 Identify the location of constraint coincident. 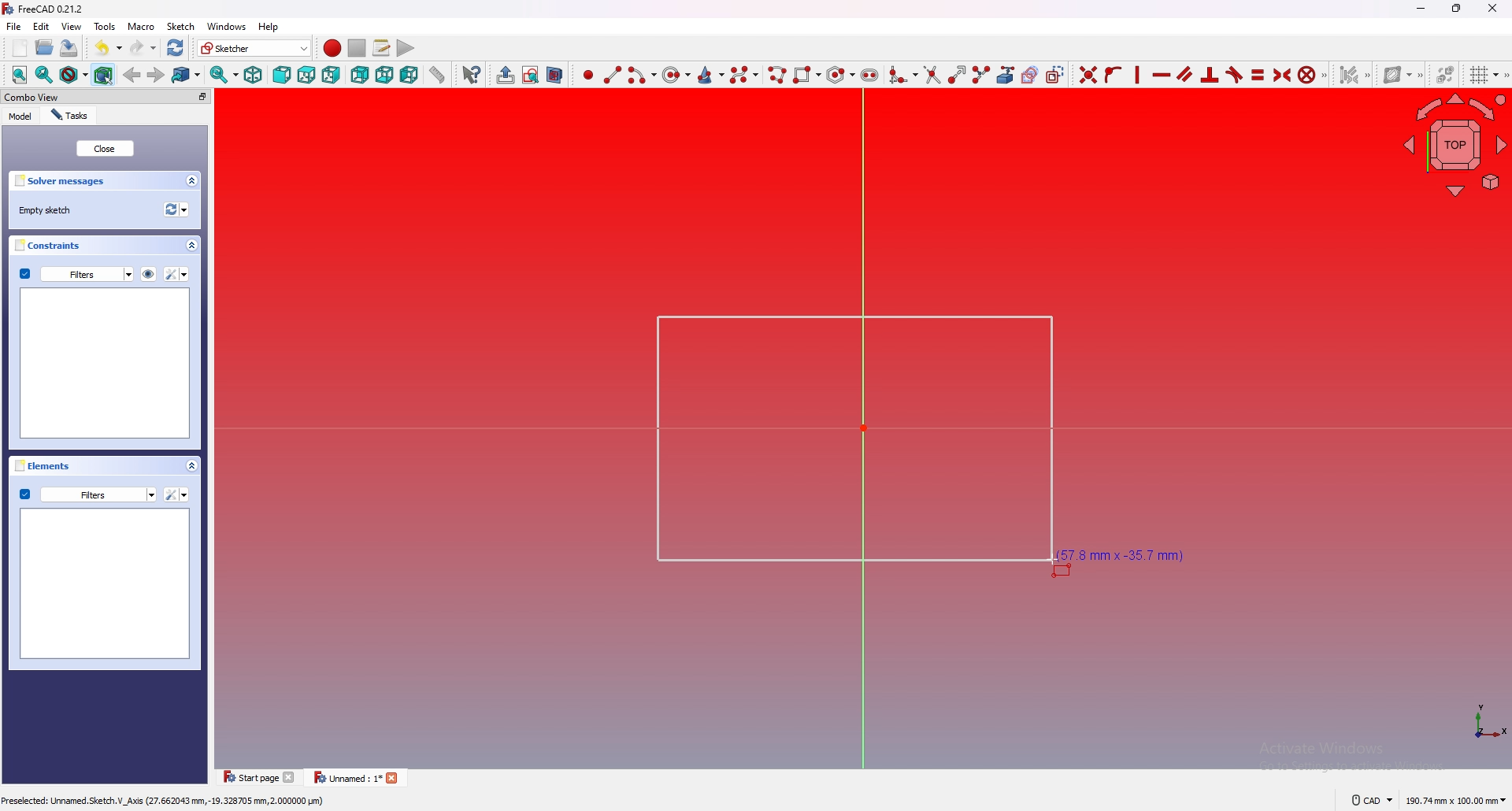
(1088, 74).